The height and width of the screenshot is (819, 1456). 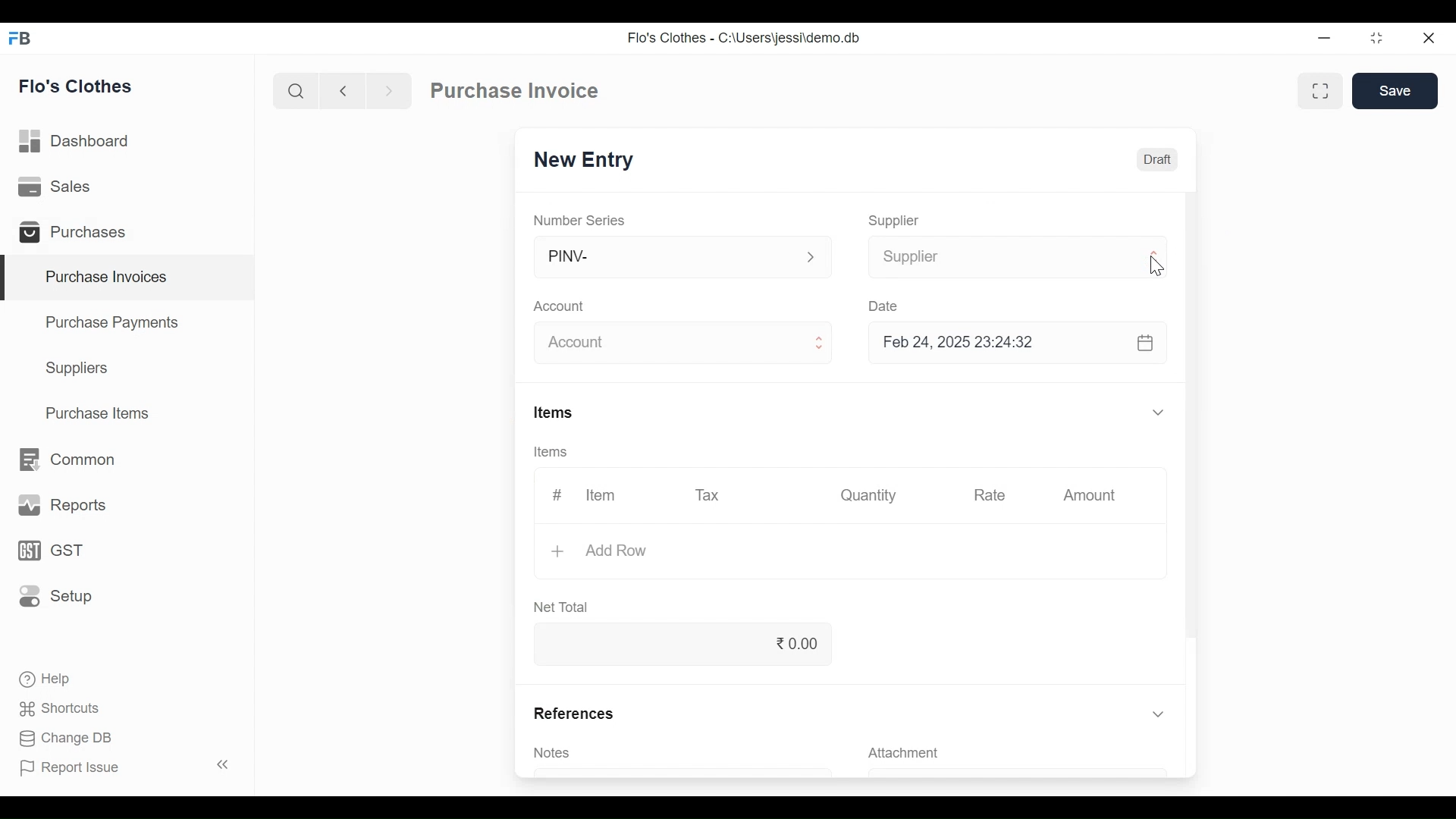 I want to click on Date, so click(x=883, y=303).